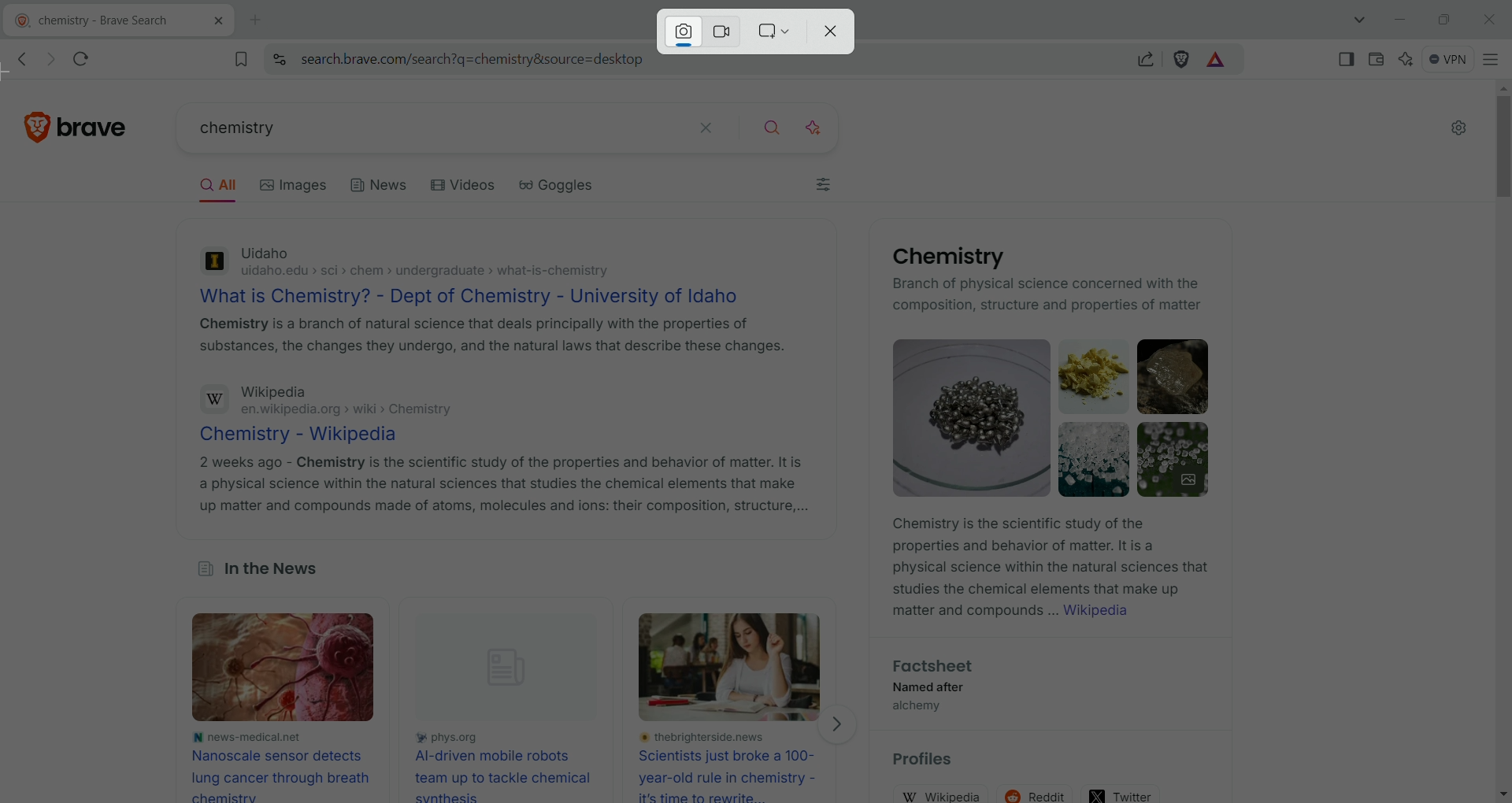 The height and width of the screenshot is (803, 1512). Describe the element at coordinates (823, 125) in the screenshot. I see `answer with AI` at that location.